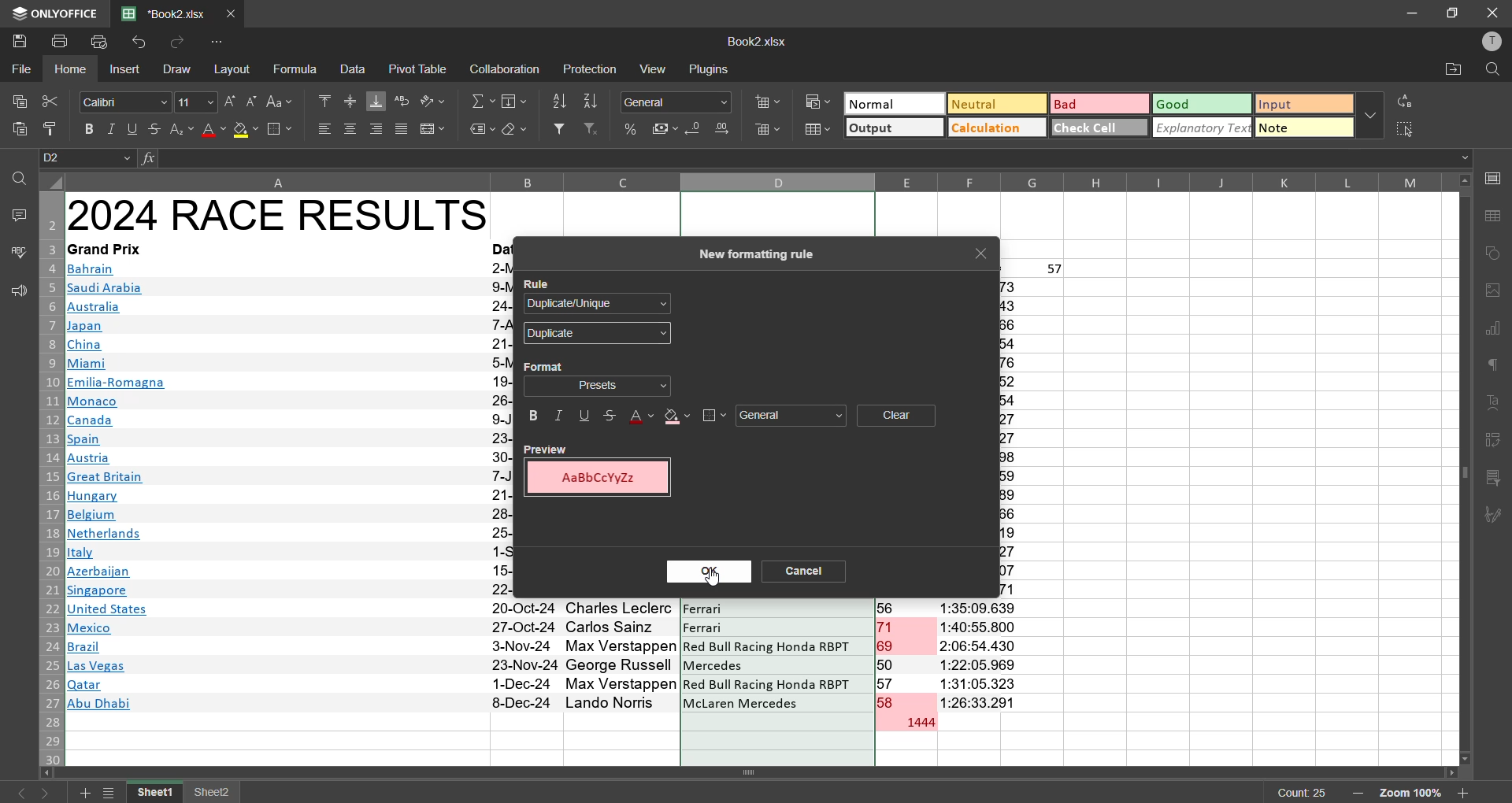  What do you see at coordinates (48, 479) in the screenshot?
I see `row numbers` at bounding box center [48, 479].